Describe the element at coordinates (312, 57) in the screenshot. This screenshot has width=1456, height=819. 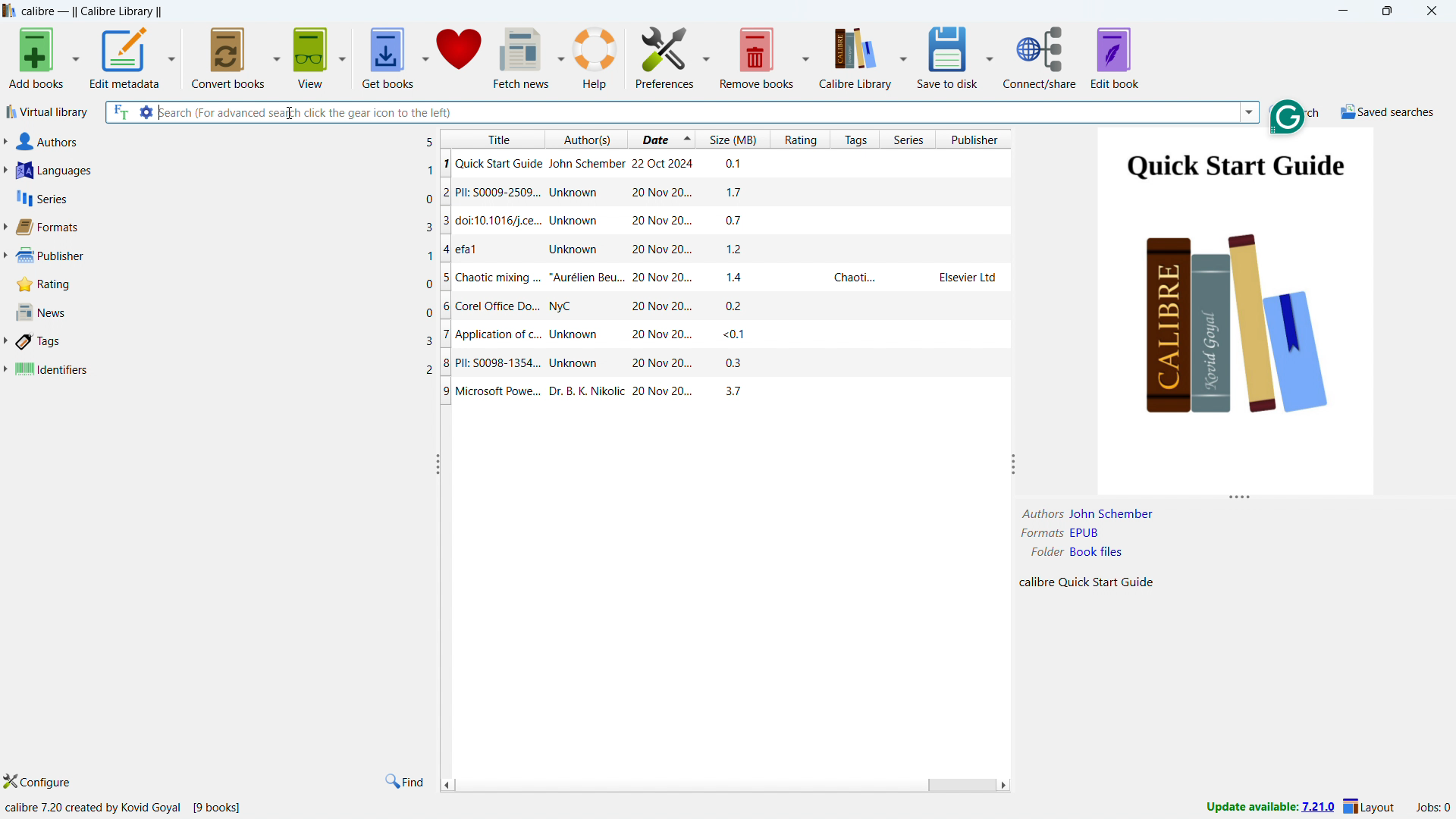
I see `view` at that location.